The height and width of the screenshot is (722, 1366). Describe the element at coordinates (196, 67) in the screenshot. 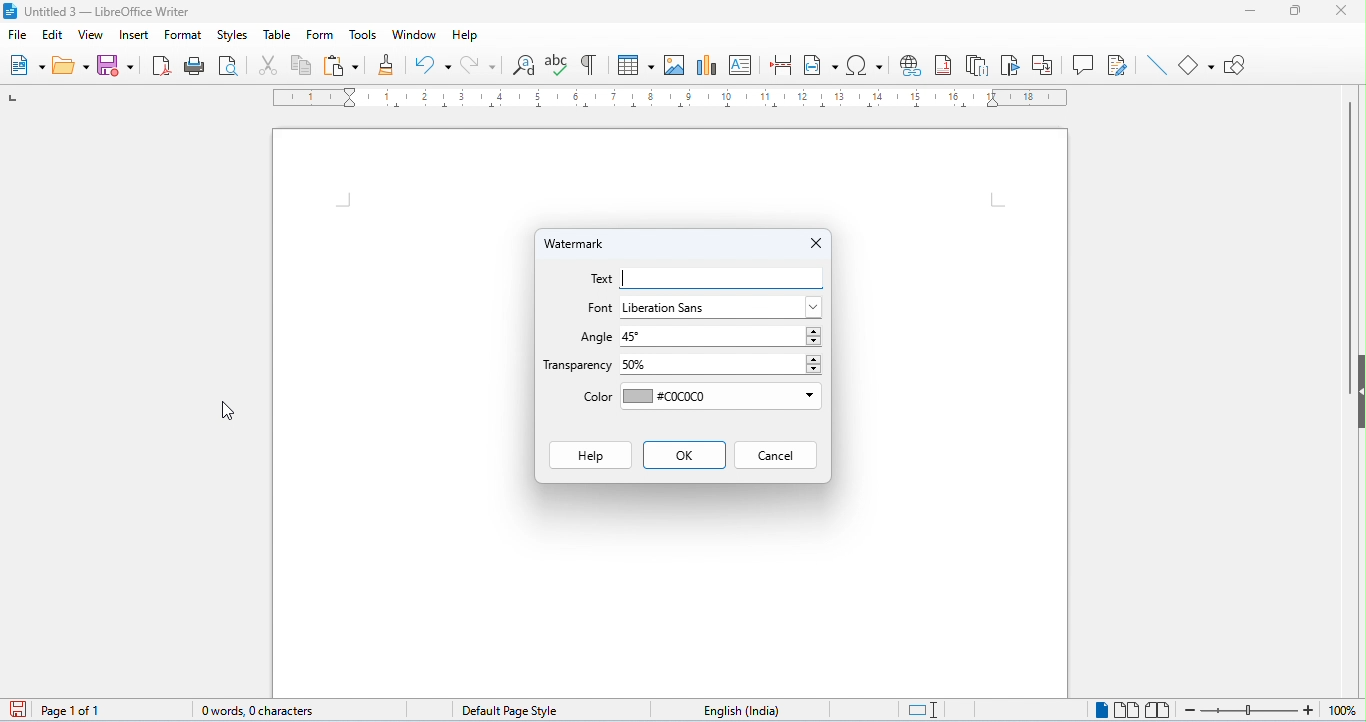

I see `print` at that location.